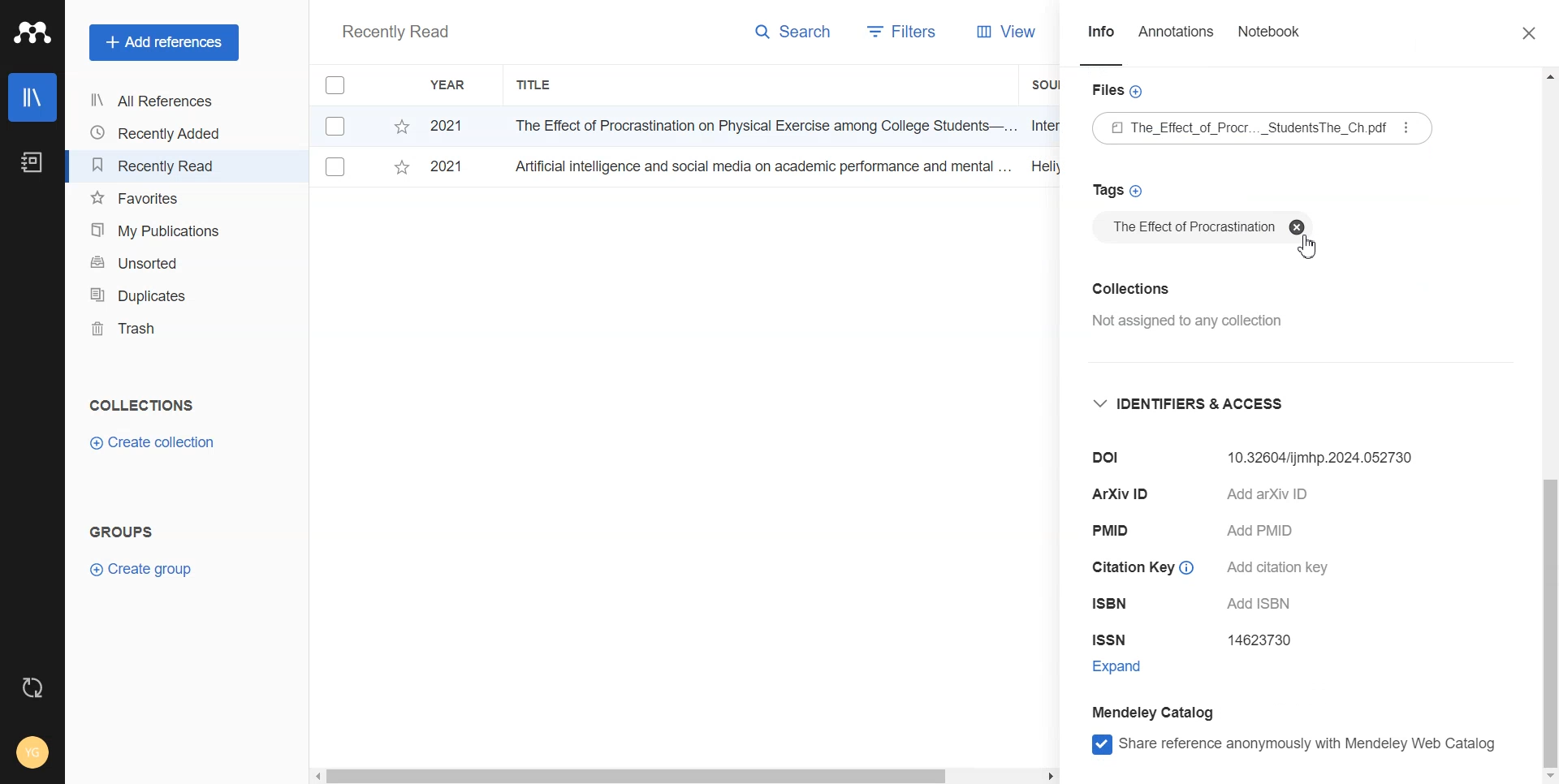  Describe the element at coordinates (1268, 44) in the screenshot. I see `Notebook` at that location.